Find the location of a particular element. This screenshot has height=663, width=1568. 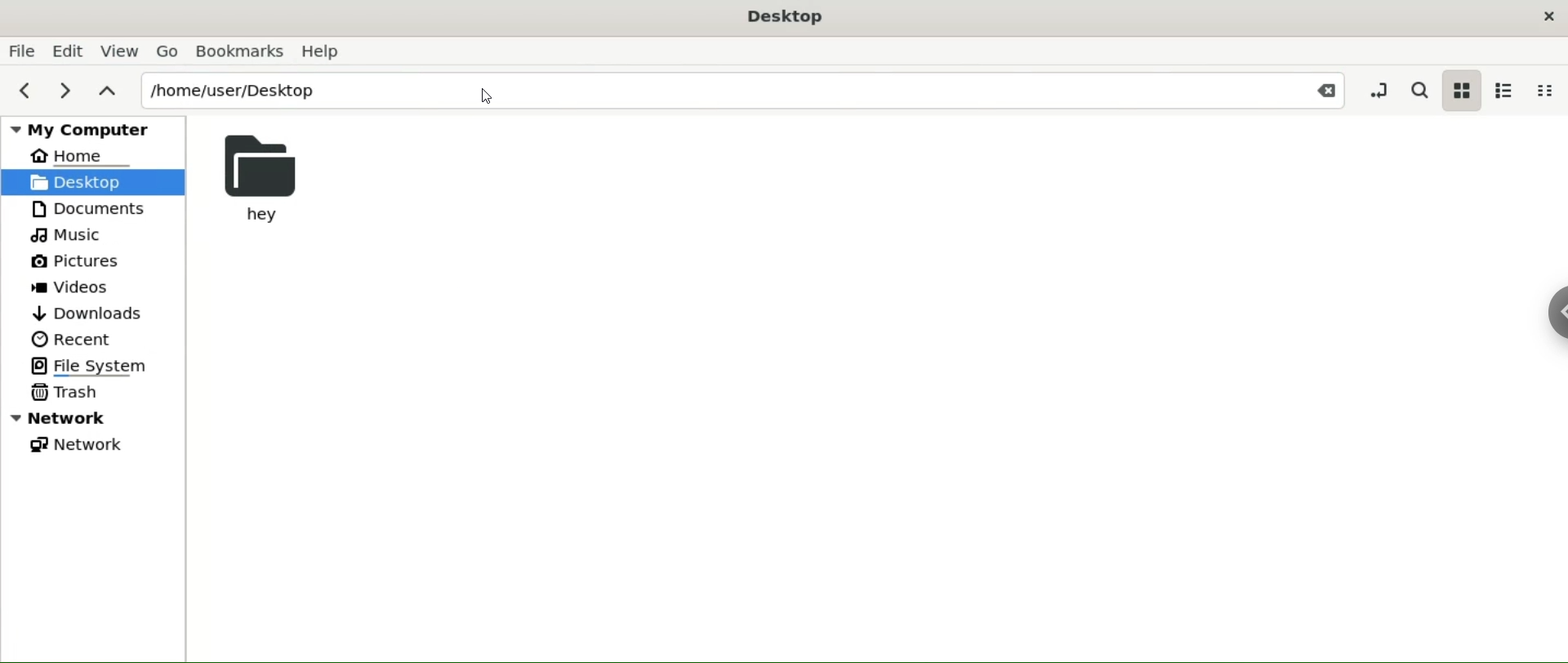

pictures is located at coordinates (75, 263).